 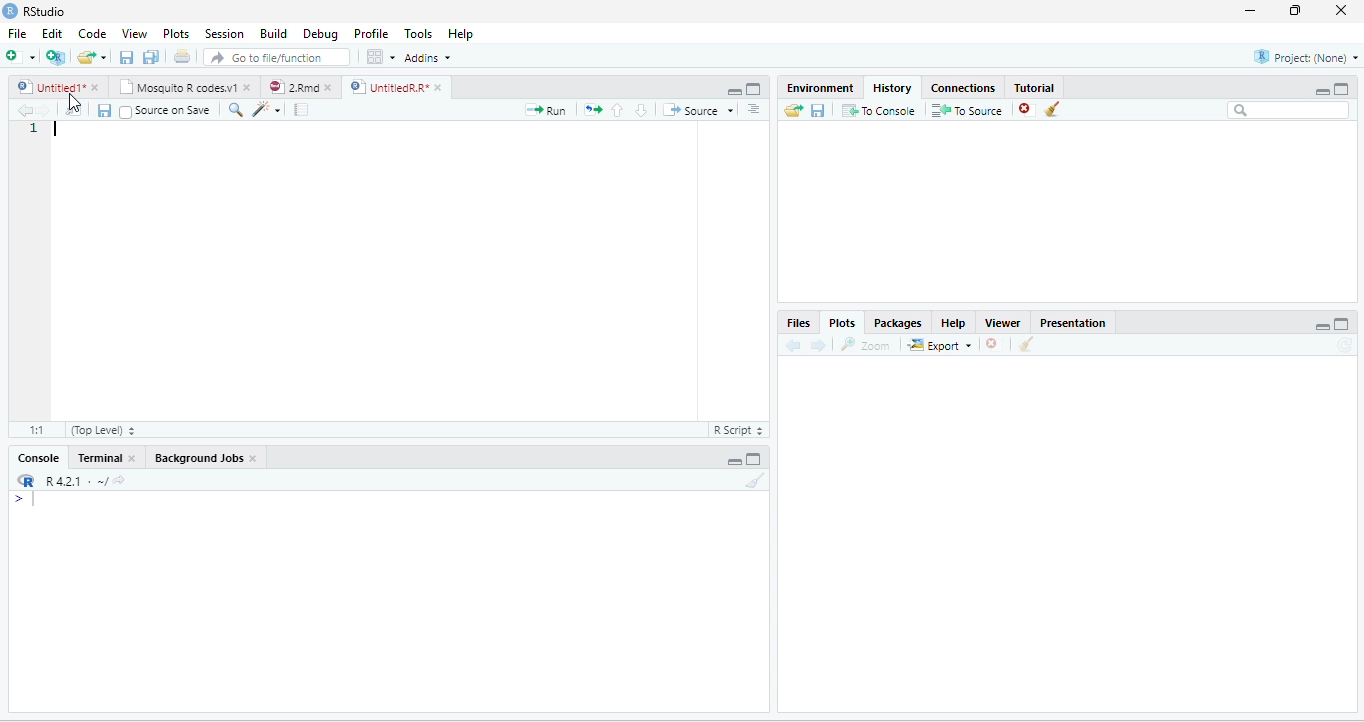 What do you see at coordinates (1073, 322) in the screenshot?
I see `Presentation` at bounding box center [1073, 322].